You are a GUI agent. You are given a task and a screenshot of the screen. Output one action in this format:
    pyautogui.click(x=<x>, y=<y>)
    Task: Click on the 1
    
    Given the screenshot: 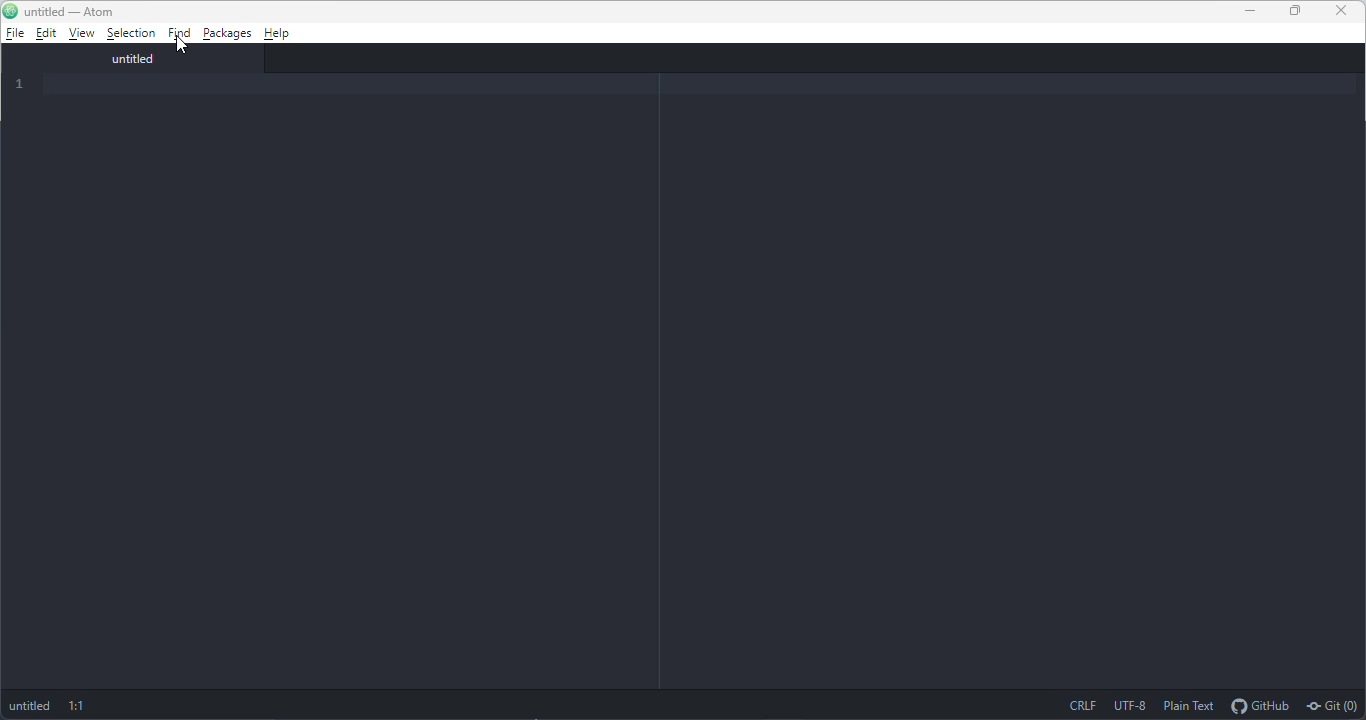 What is the action you would take?
    pyautogui.click(x=22, y=83)
    